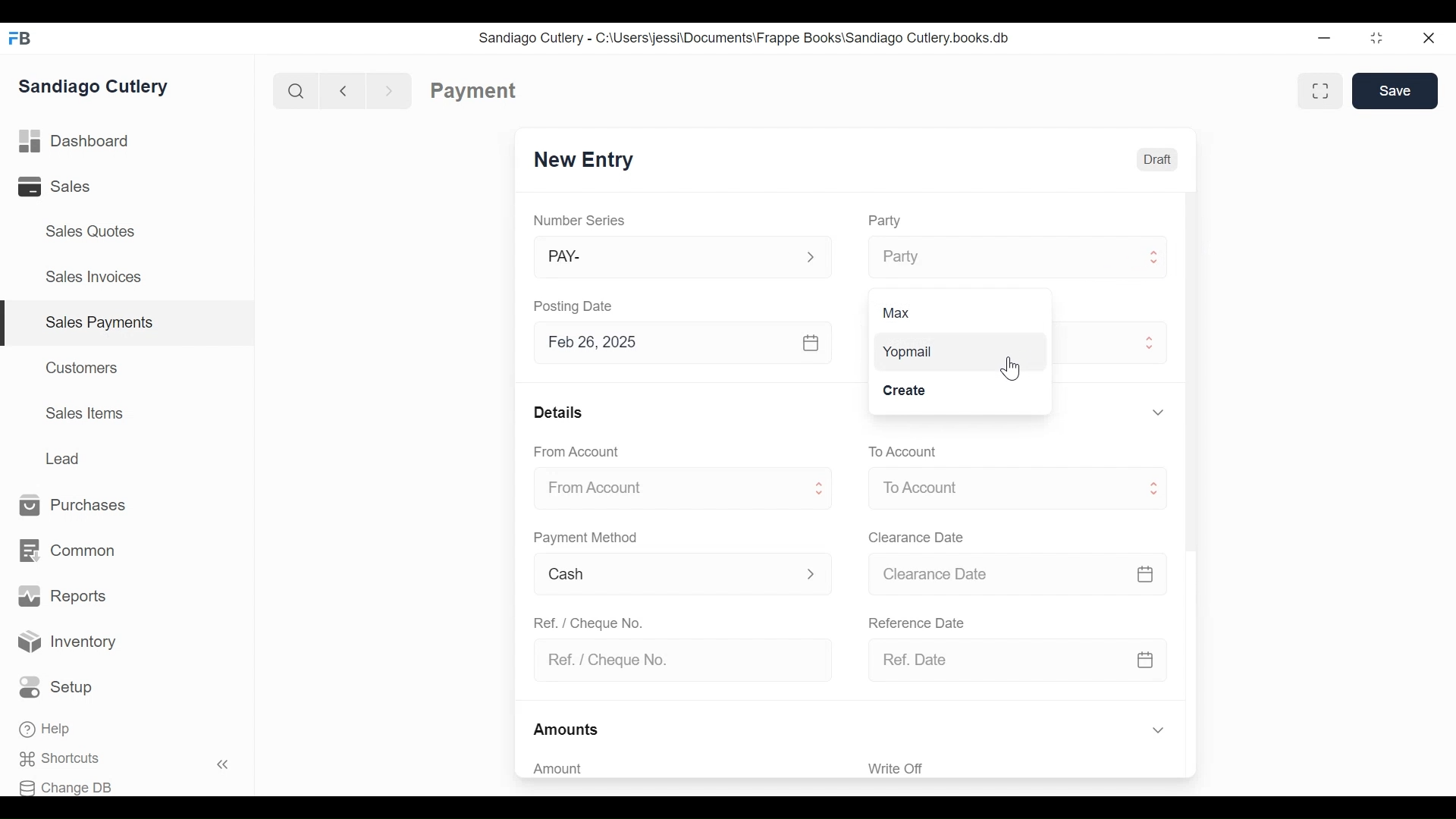  I want to click on | Sales Payments, so click(129, 324).